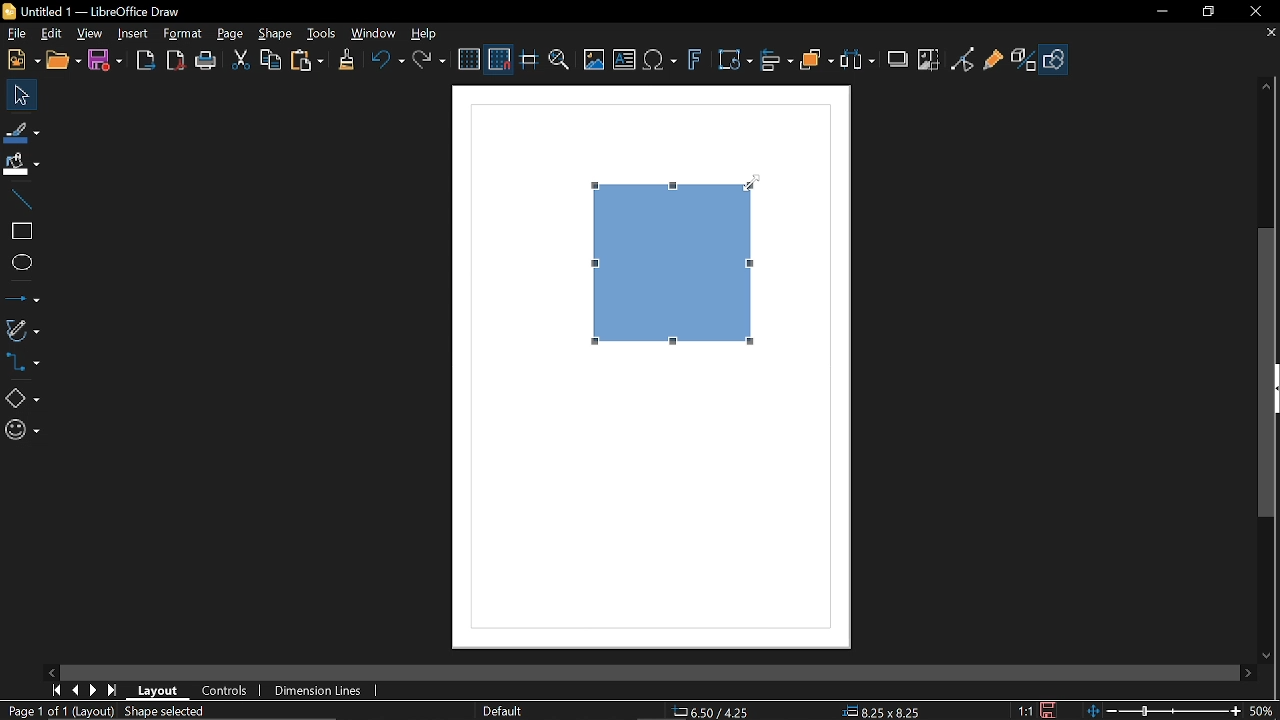  What do you see at coordinates (112, 690) in the screenshot?
I see `last page` at bounding box center [112, 690].